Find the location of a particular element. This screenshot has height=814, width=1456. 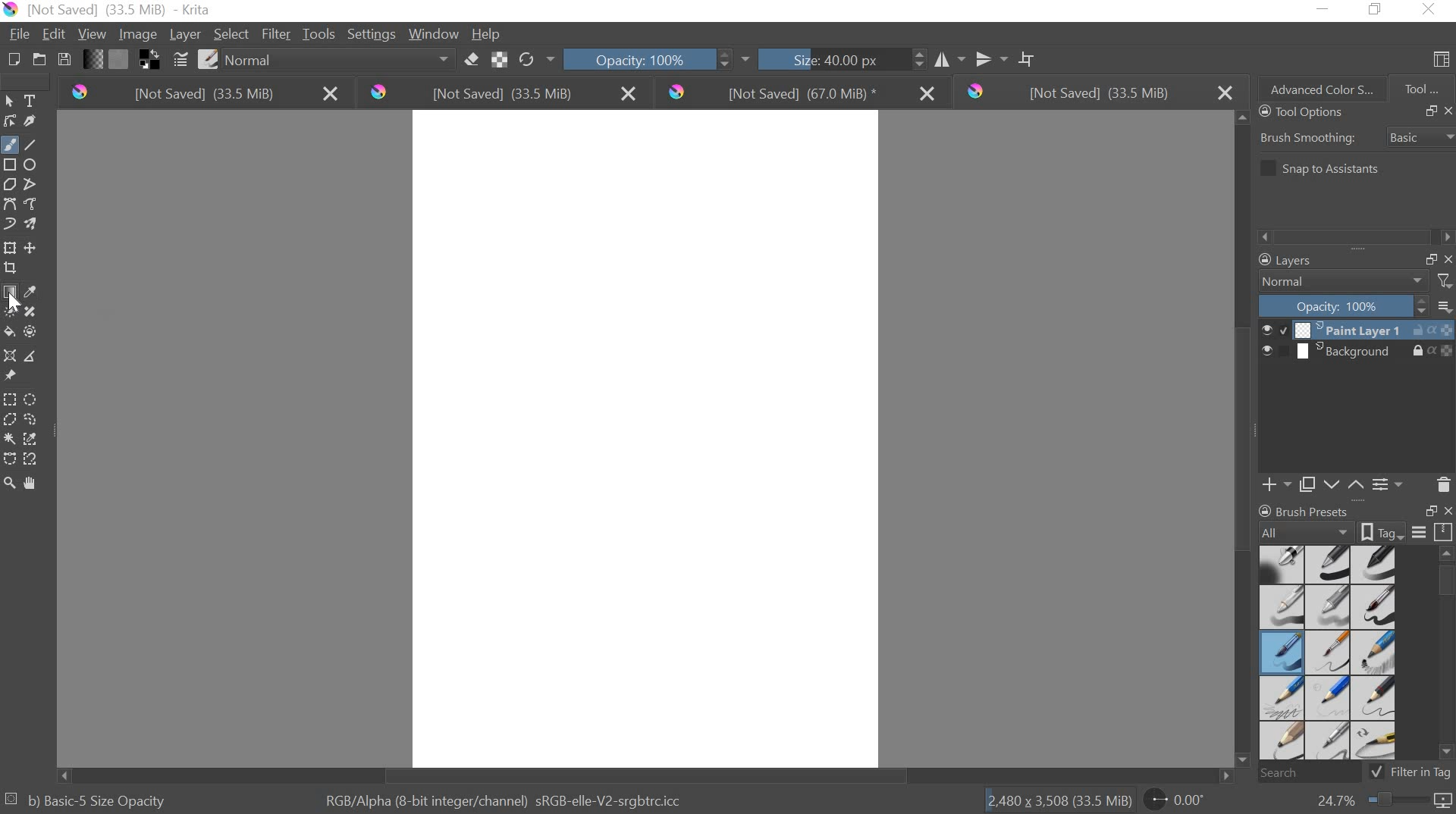

[not saved] (33.5 mb) is located at coordinates (504, 94).